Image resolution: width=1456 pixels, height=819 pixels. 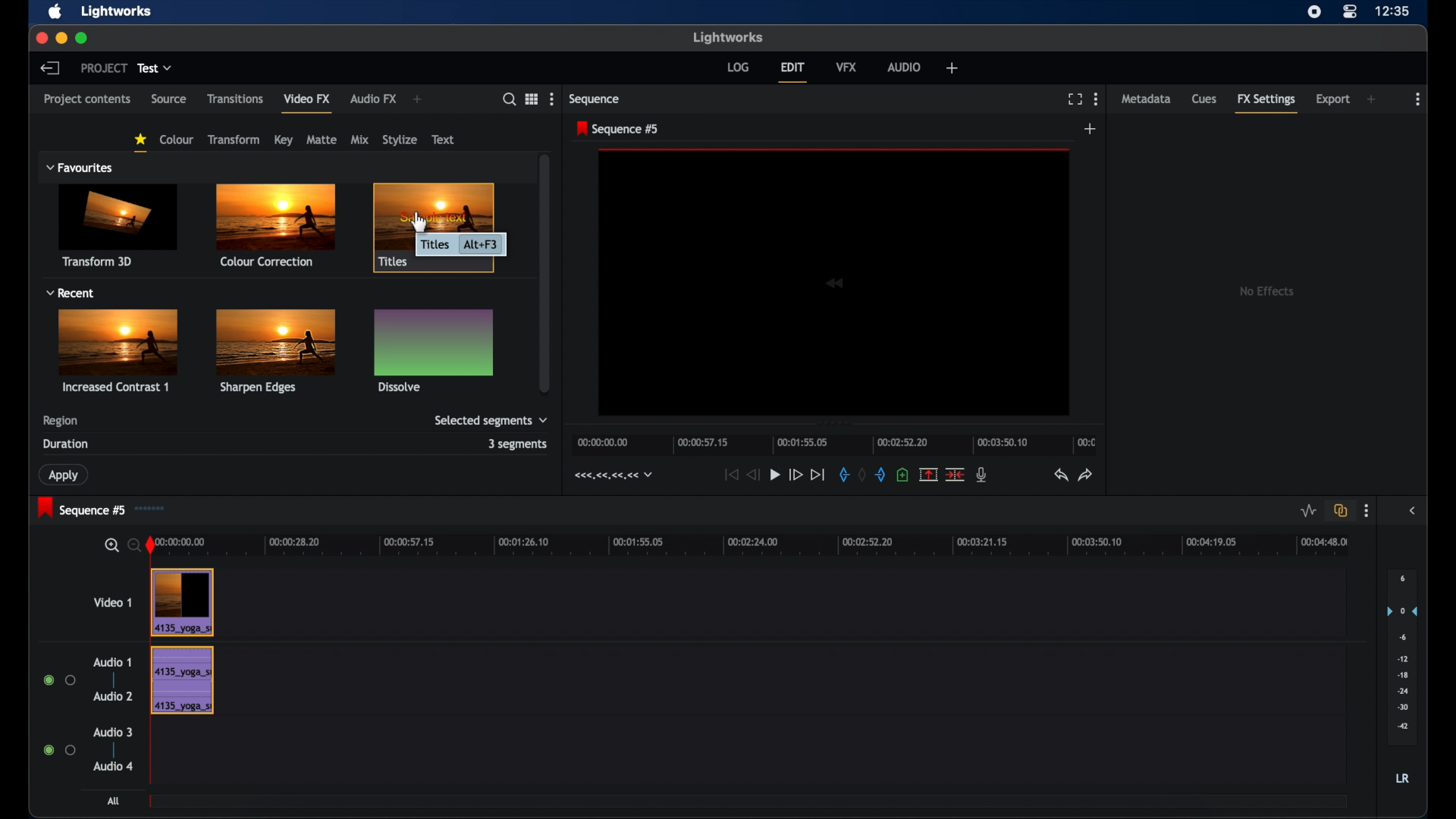 I want to click on transform, so click(x=235, y=140).